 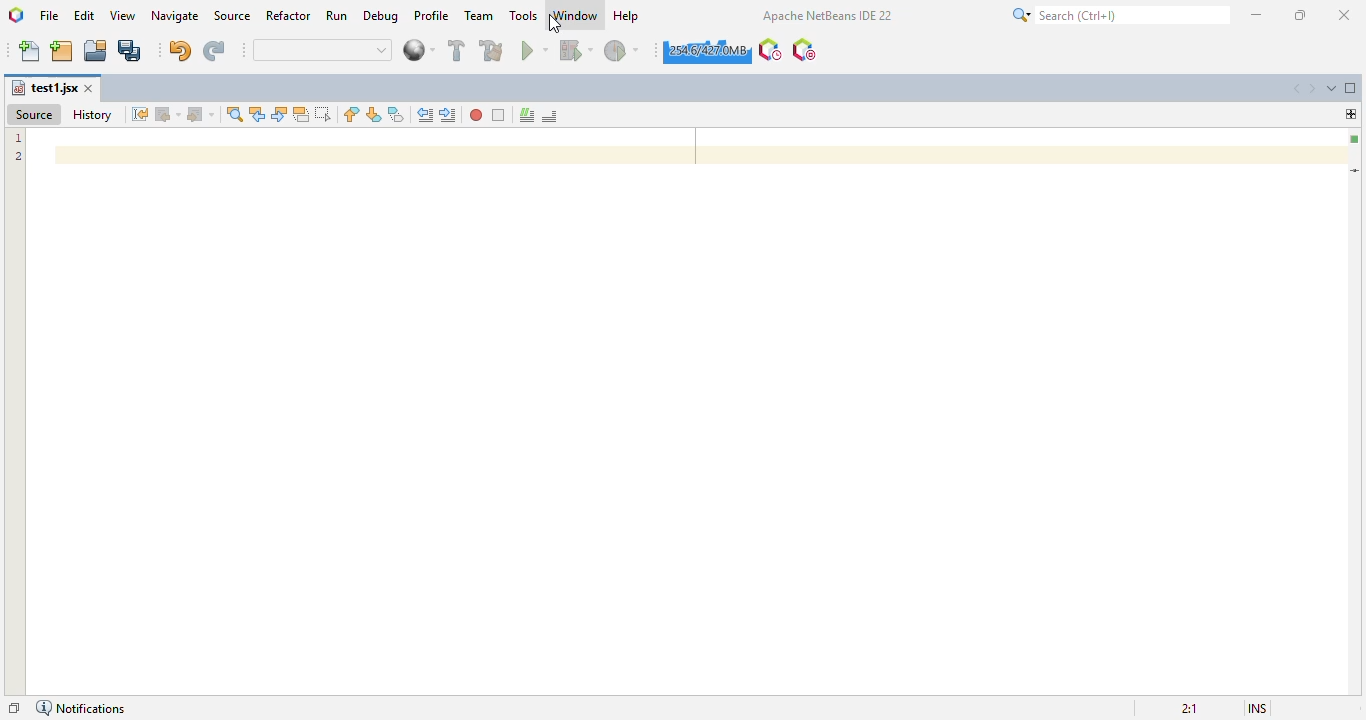 I want to click on undo, so click(x=181, y=50).